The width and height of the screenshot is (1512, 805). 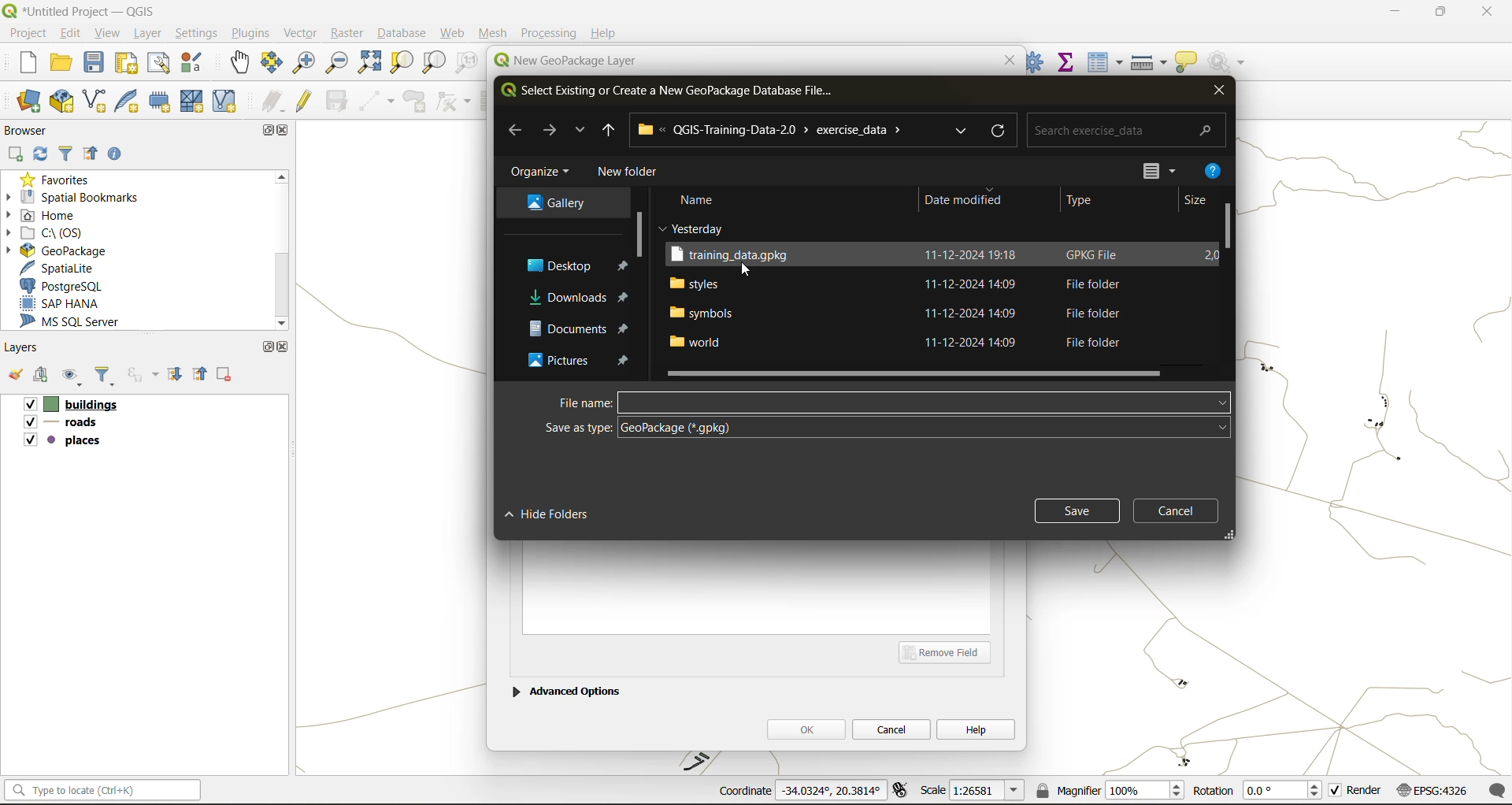 What do you see at coordinates (750, 273) in the screenshot?
I see `Pointer` at bounding box center [750, 273].